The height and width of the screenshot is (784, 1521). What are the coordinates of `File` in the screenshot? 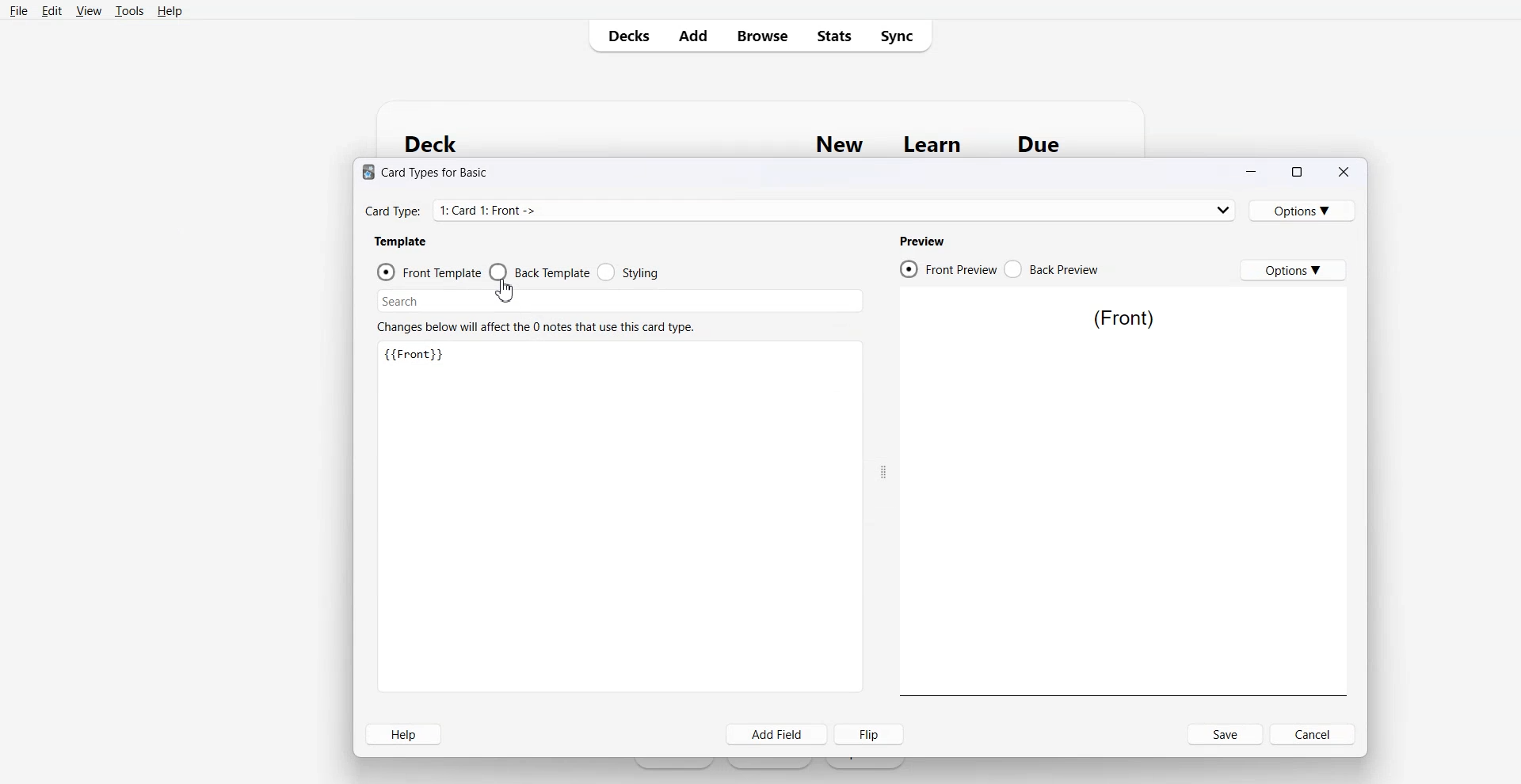 It's located at (18, 10).